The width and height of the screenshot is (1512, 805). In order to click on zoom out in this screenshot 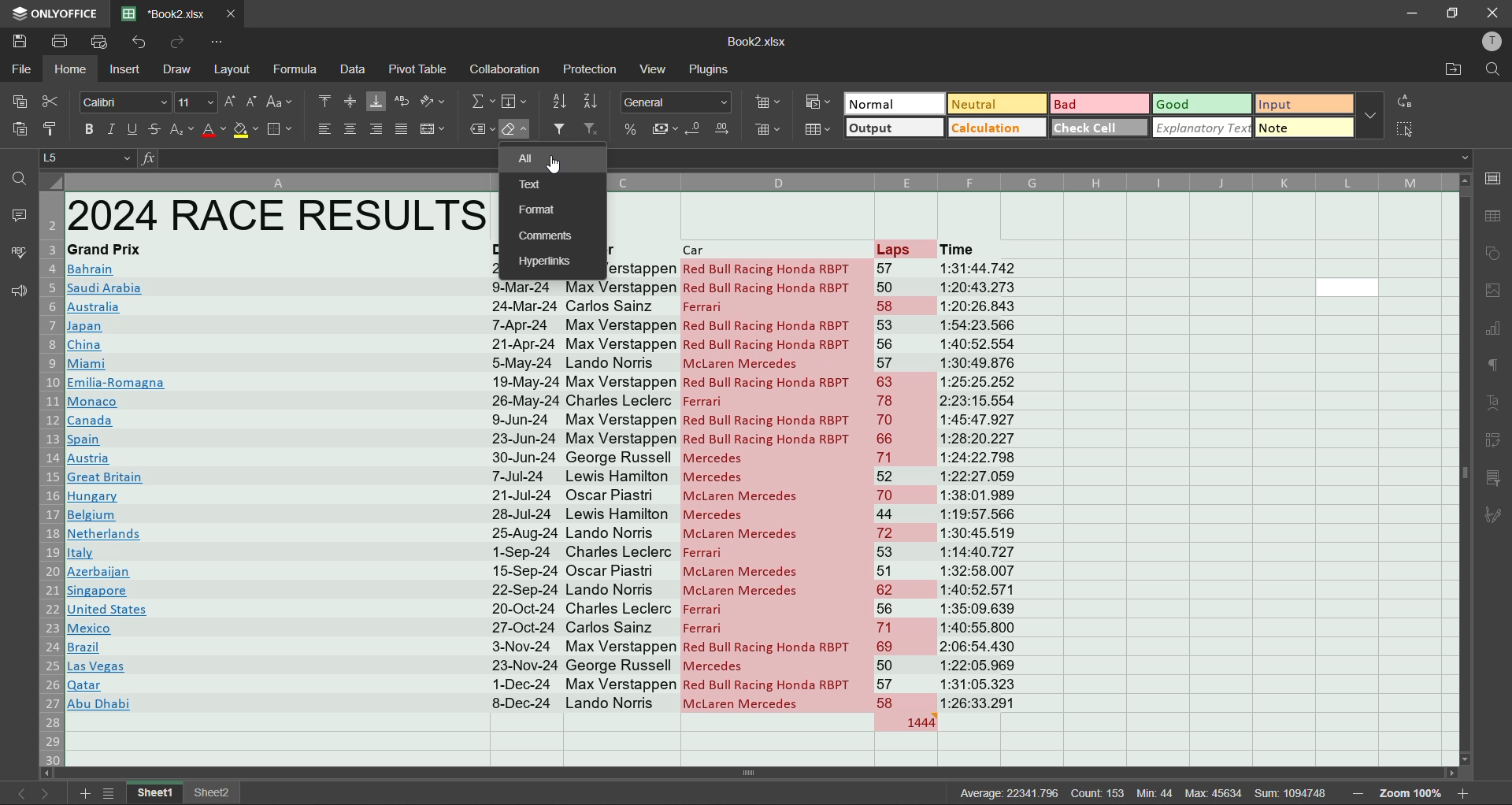, I will do `click(1359, 795)`.